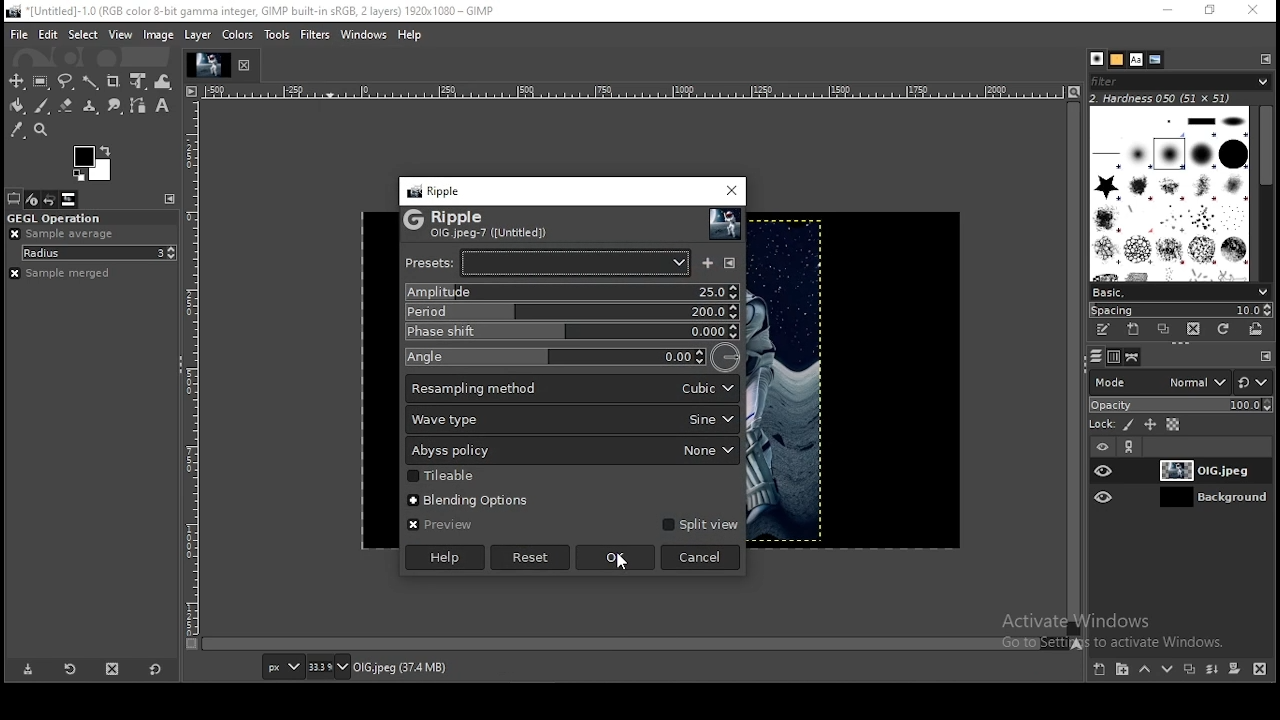 This screenshot has width=1280, height=720. Describe the element at coordinates (701, 558) in the screenshot. I see `cancel` at that location.